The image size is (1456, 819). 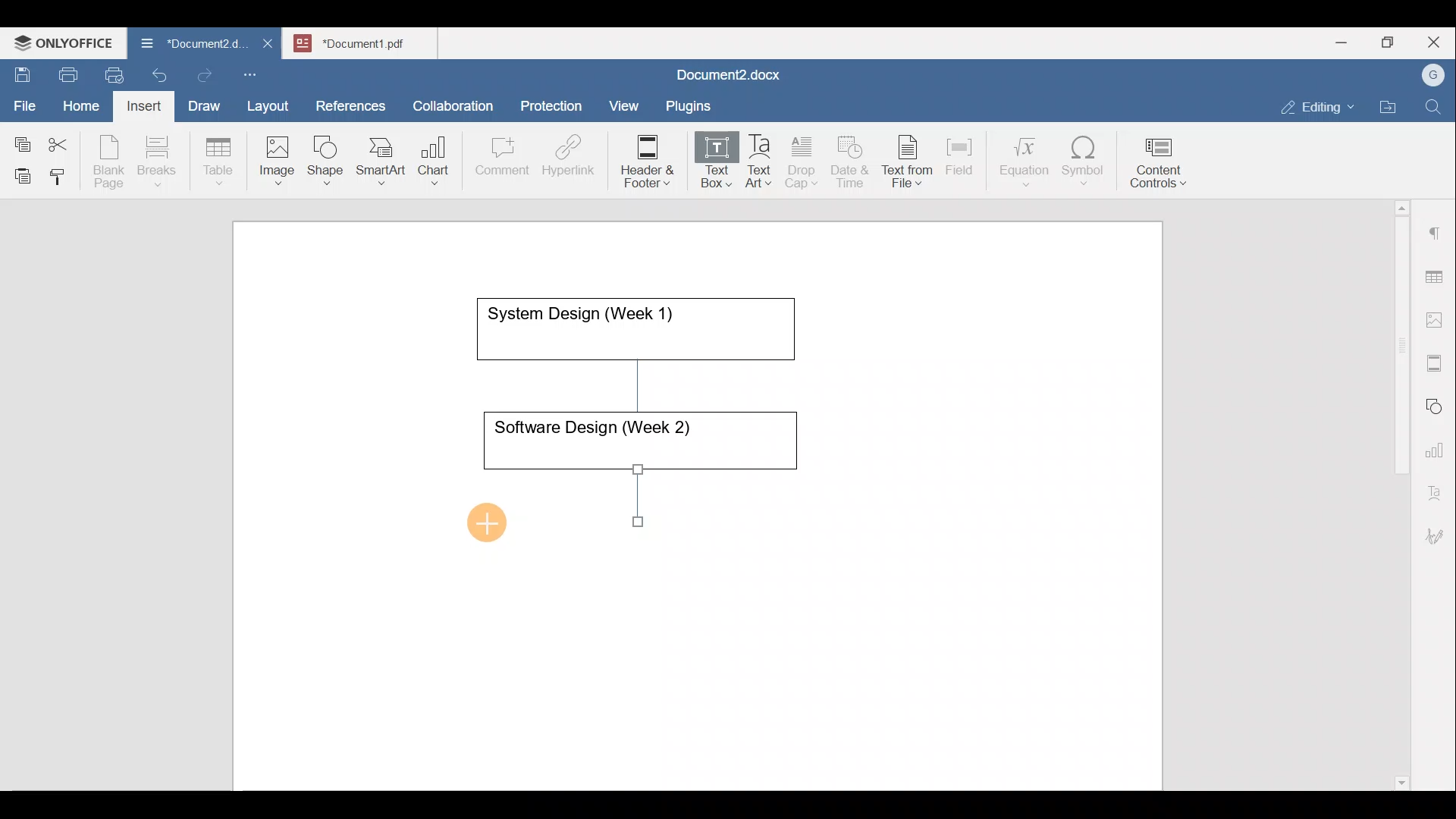 What do you see at coordinates (204, 76) in the screenshot?
I see `Redo` at bounding box center [204, 76].